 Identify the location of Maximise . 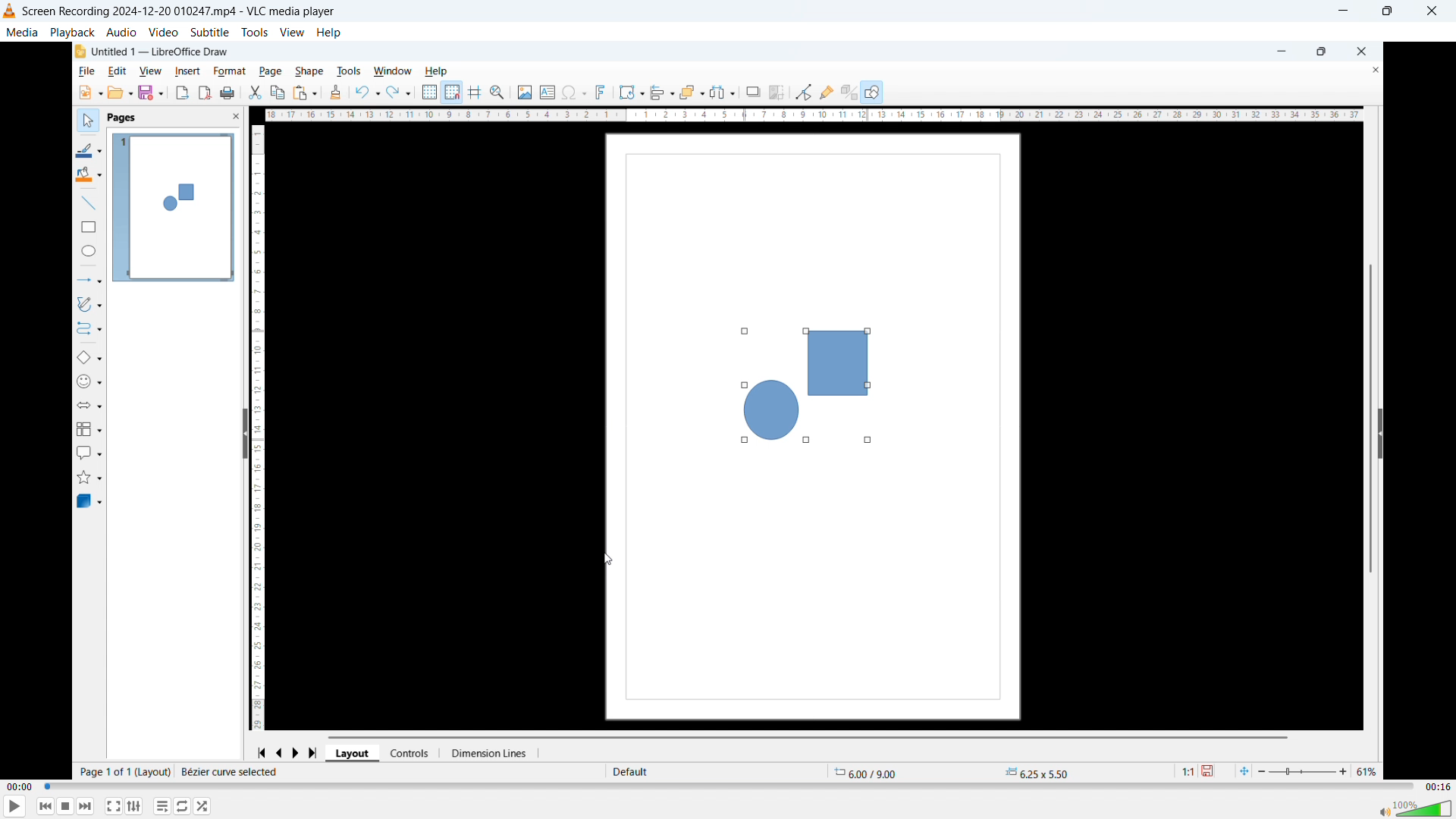
(1390, 11).